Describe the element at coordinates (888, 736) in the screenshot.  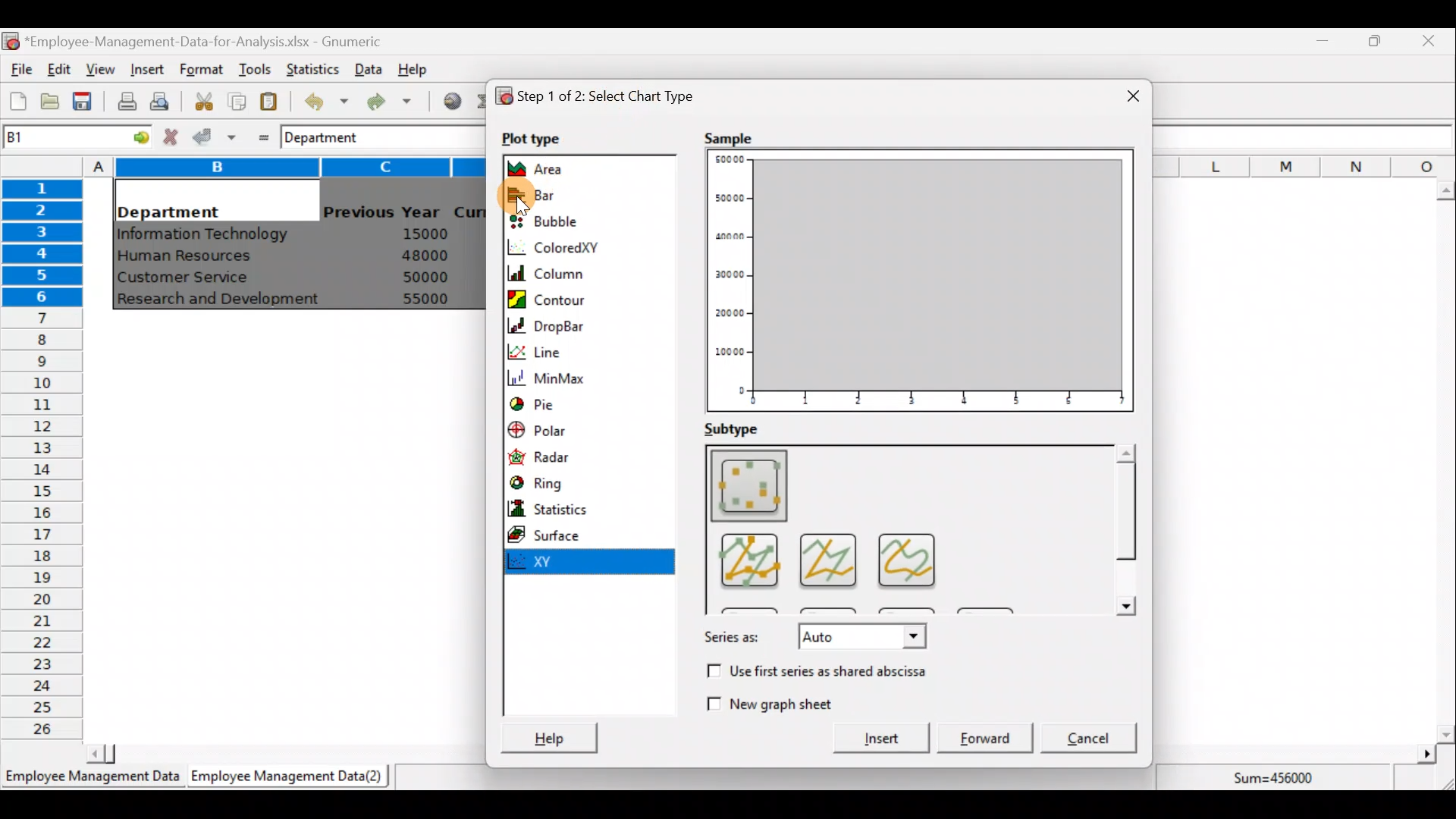
I see `Insert` at that location.